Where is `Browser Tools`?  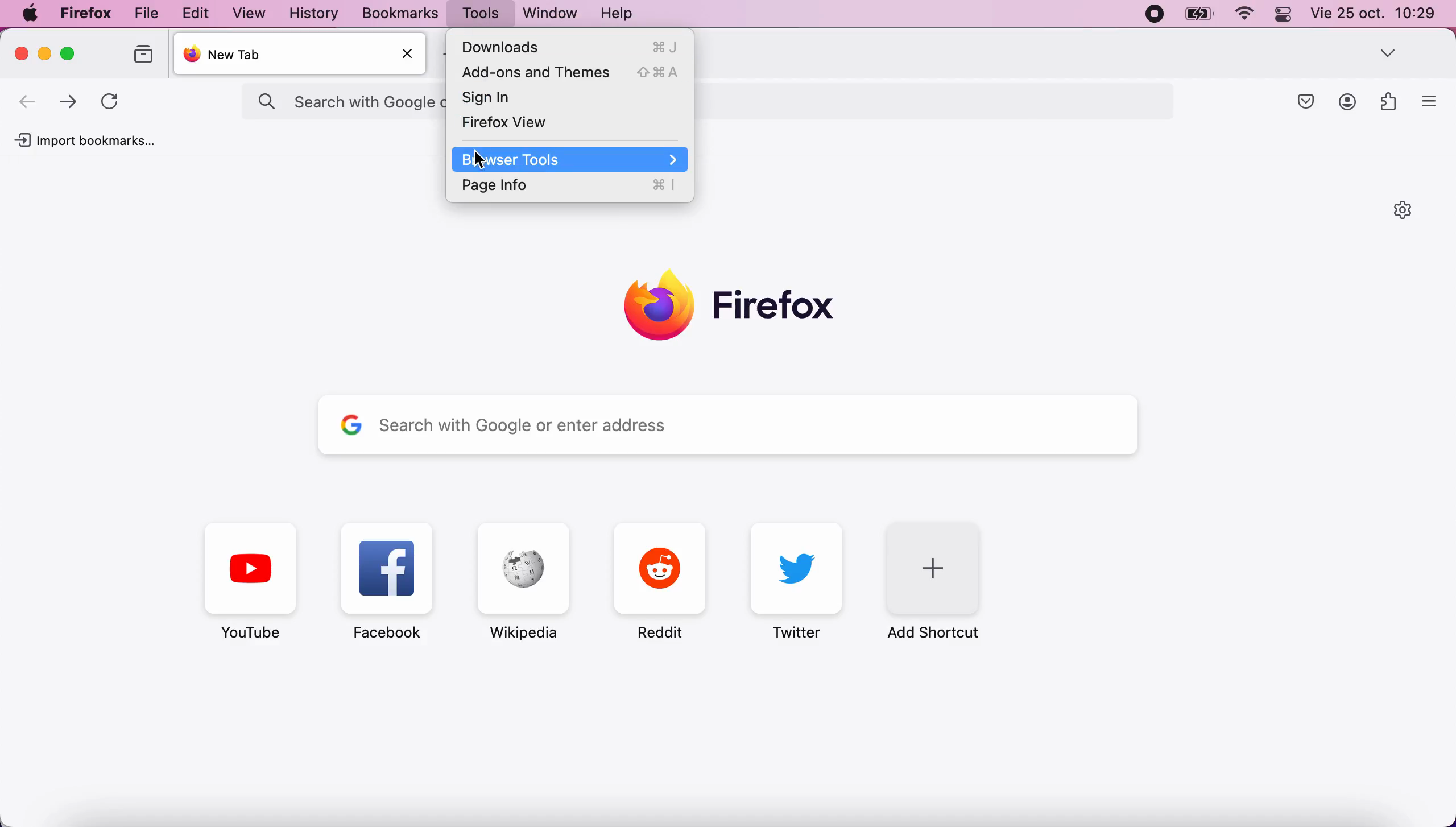
Browser Tools is located at coordinates (569, 159).